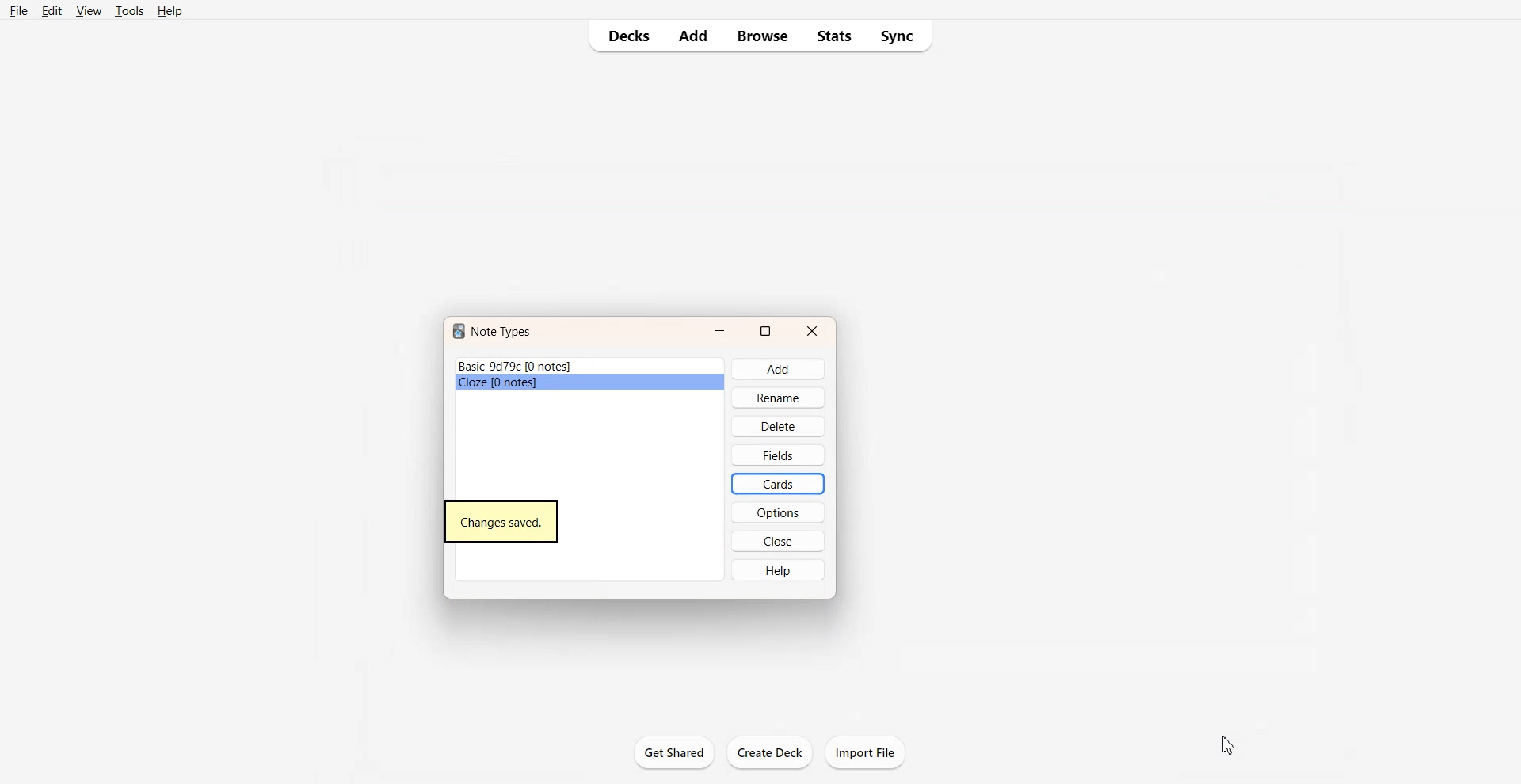  I want to click on get shared, so click(676, 754).